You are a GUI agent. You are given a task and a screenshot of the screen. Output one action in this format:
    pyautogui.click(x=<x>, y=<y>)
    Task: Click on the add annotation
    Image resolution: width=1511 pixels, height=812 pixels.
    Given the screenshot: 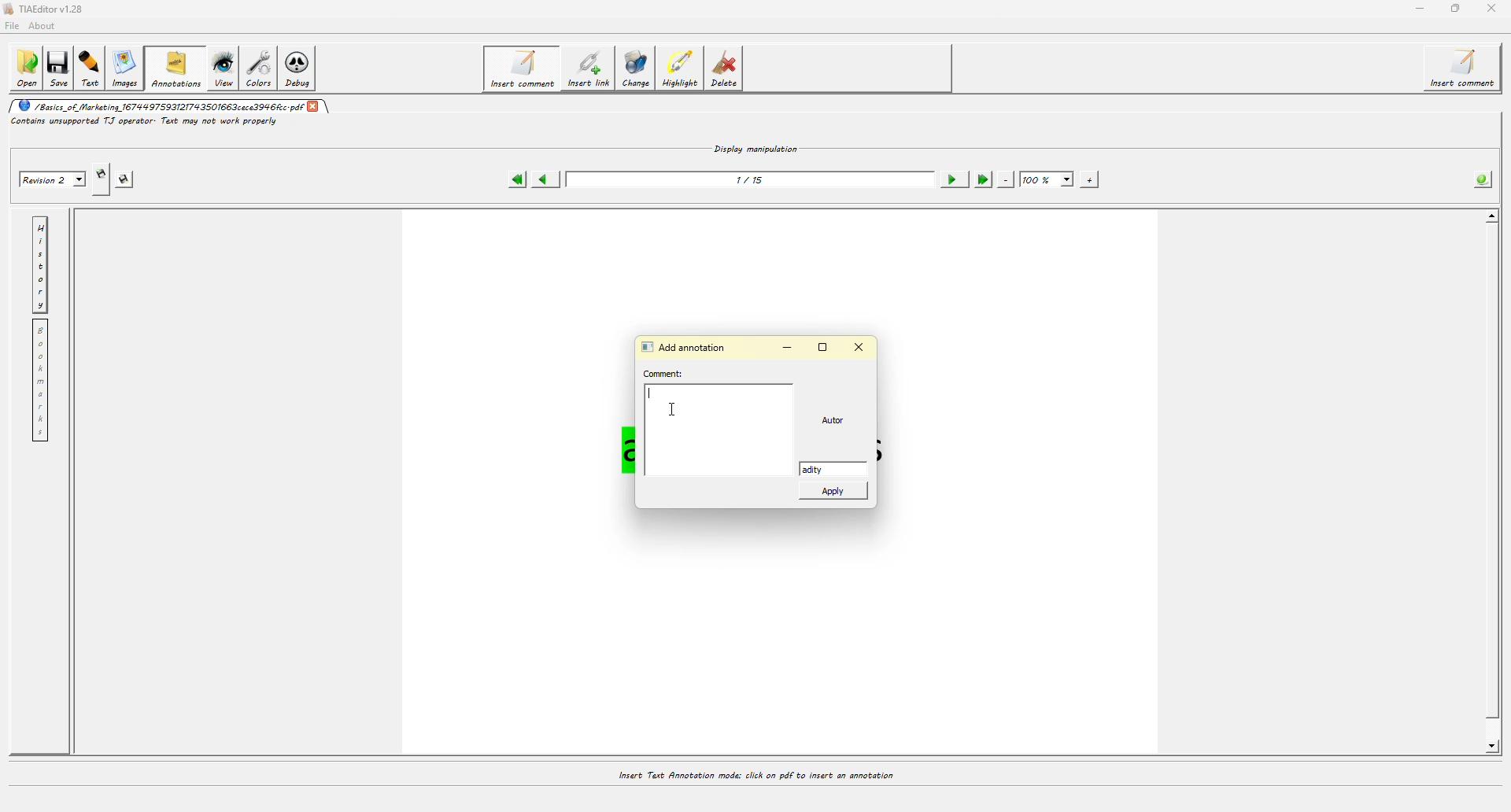 What is the action you would take?
    pyautogui.click(x=687, y=345)
    